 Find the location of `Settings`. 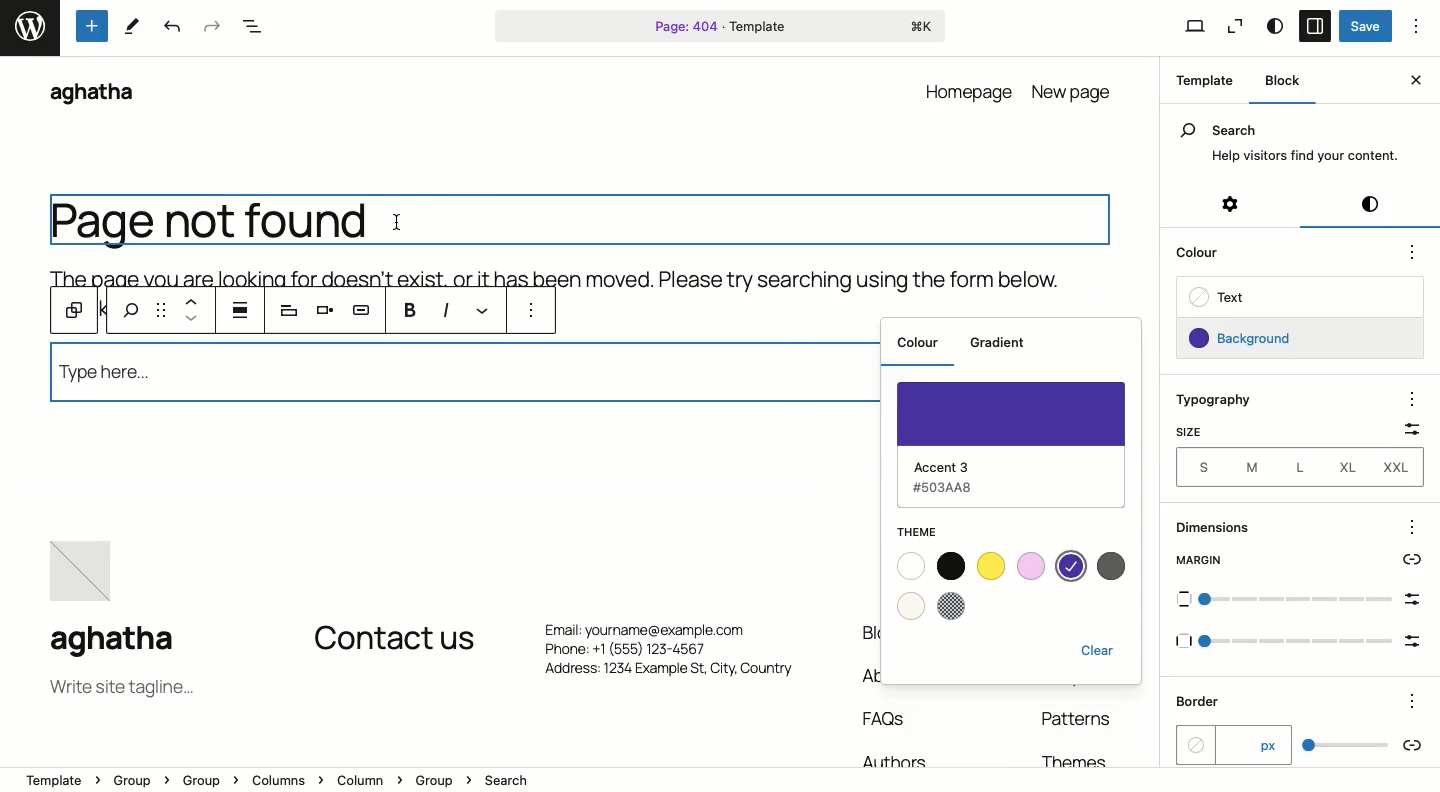

Settings is located at coordinates (1234, 209).